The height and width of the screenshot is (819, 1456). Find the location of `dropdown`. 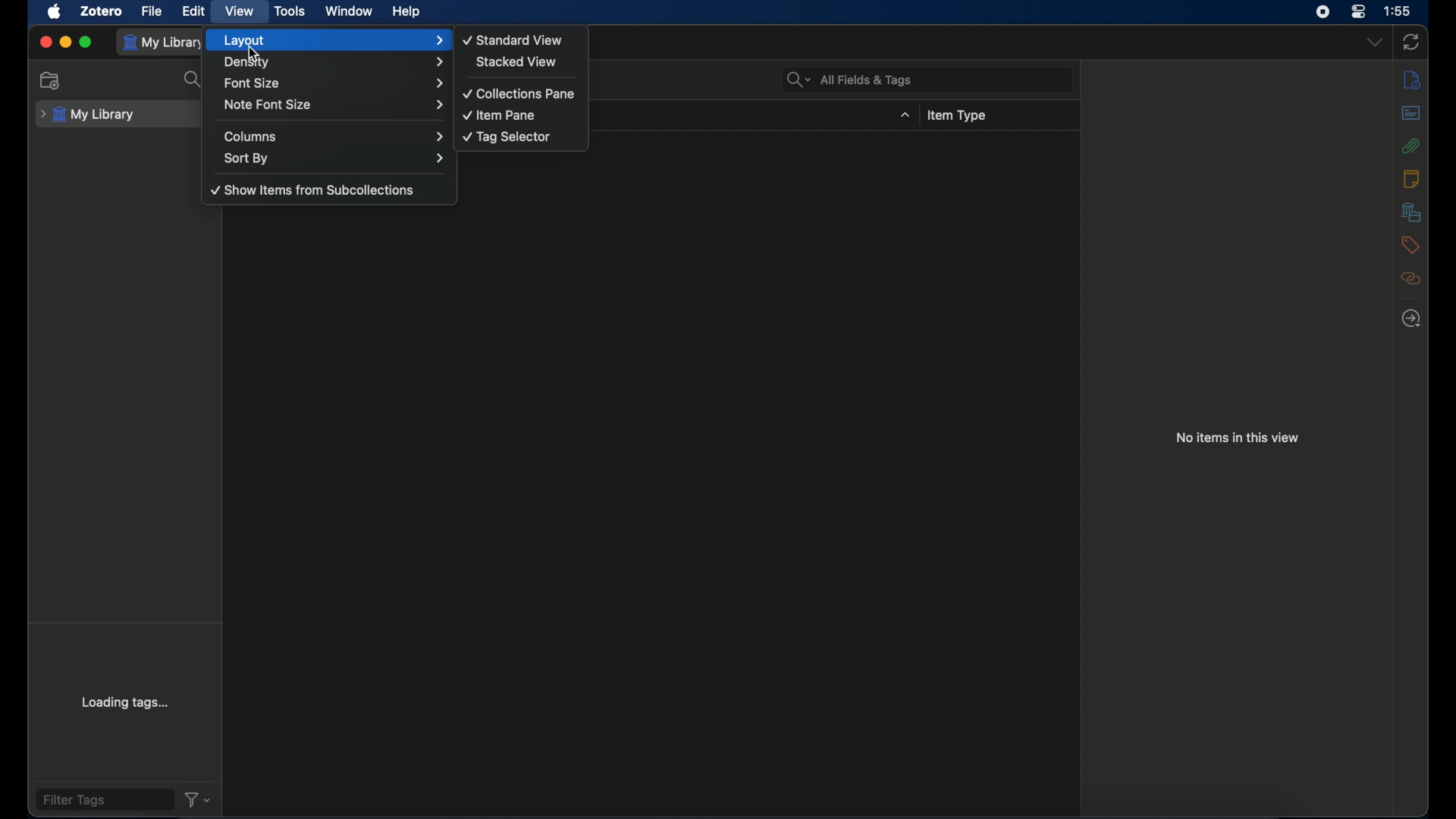

dropdown is located at coordinates (904, 115).